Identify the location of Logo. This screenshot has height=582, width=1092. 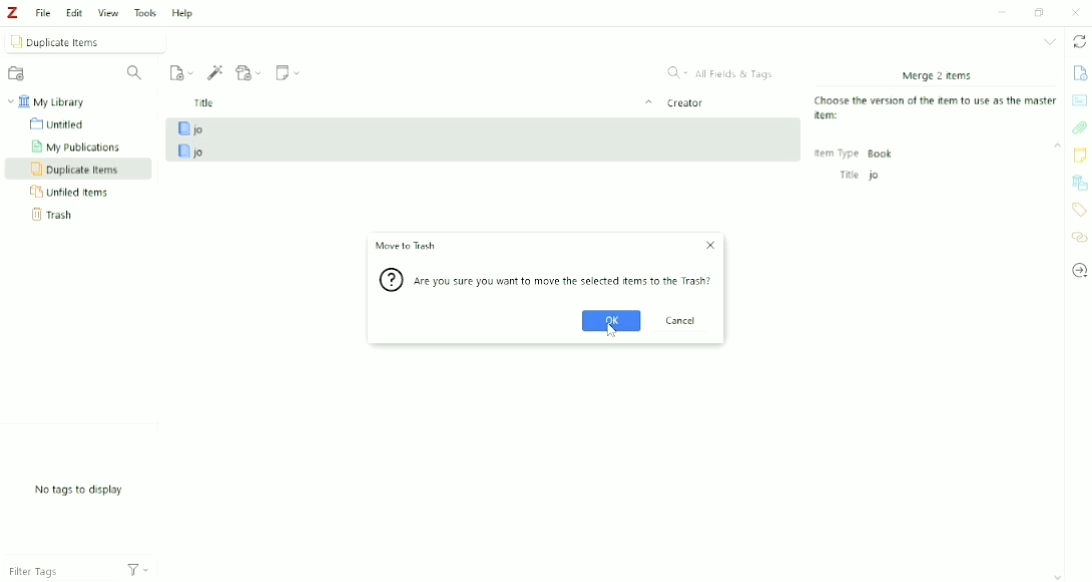
(14, 13).